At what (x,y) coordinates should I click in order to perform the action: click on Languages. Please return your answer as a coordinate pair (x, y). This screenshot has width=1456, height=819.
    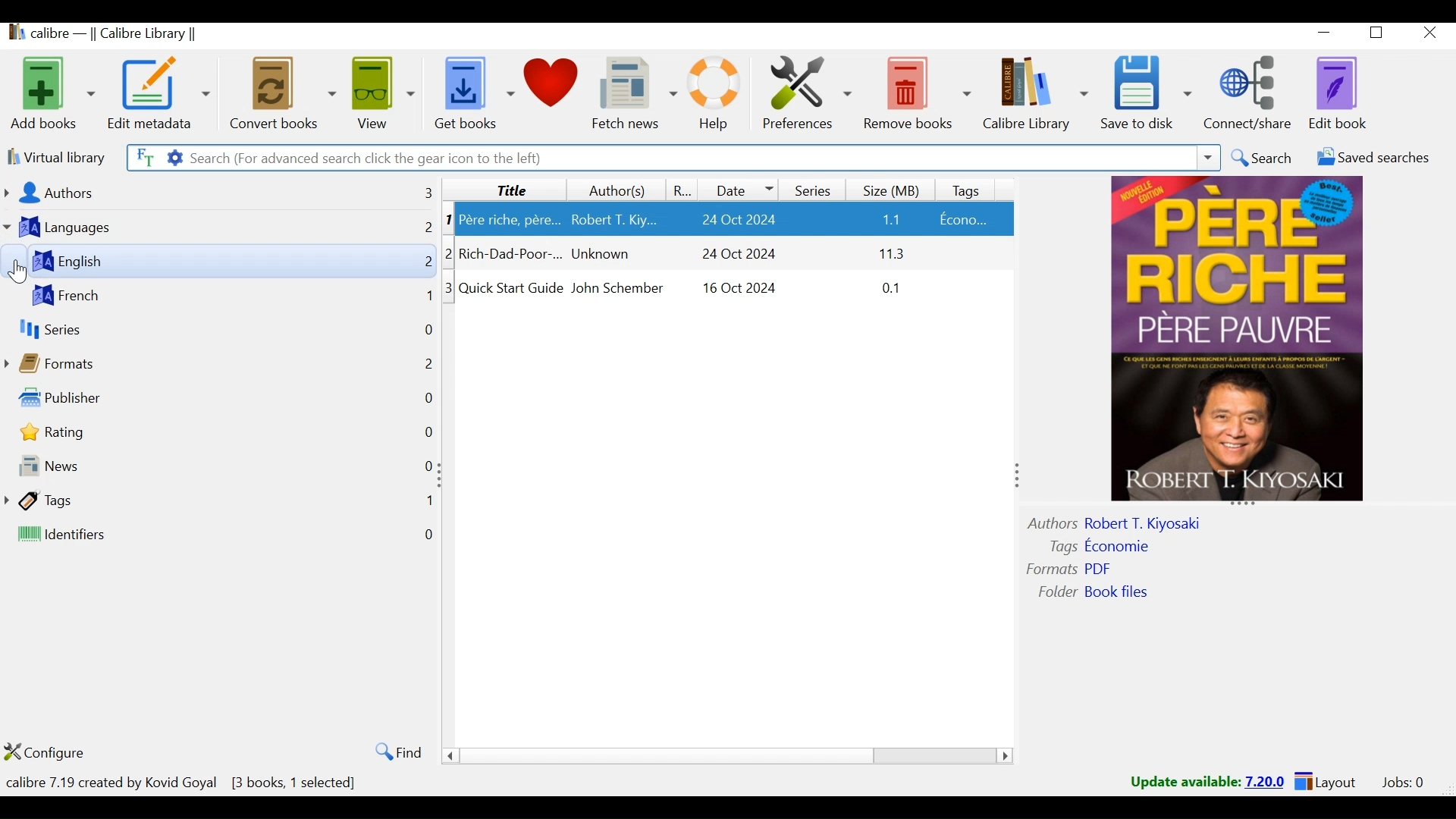
    Looking at the image, I should click on (89, 227).